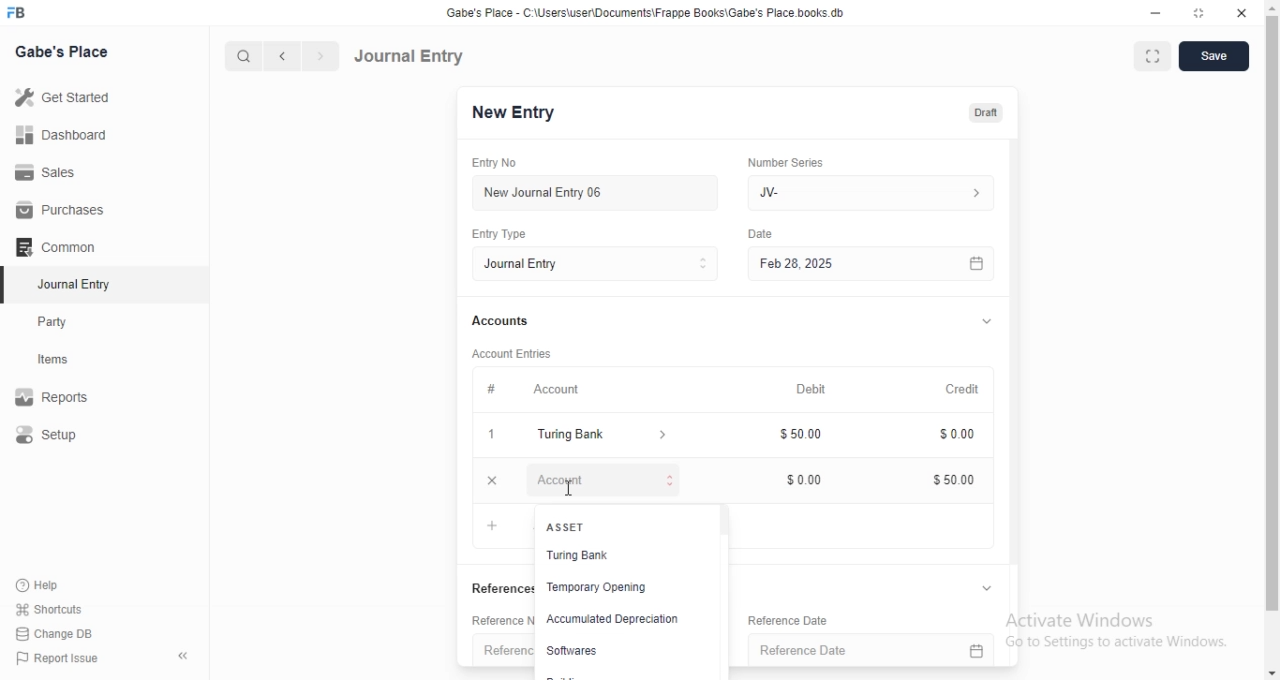 This screenshot has height=680, width=1280. I want to click on JV-, so click(874, 190).